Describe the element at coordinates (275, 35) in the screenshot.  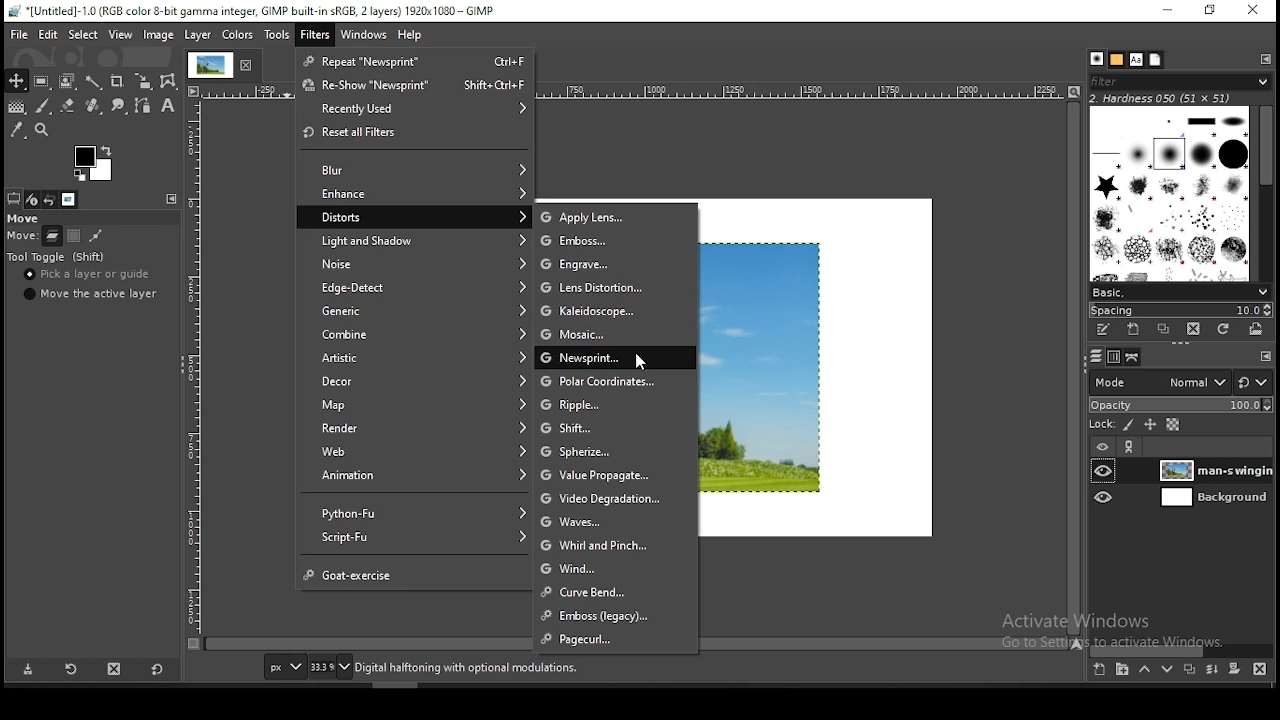
I see `tools` at that location.